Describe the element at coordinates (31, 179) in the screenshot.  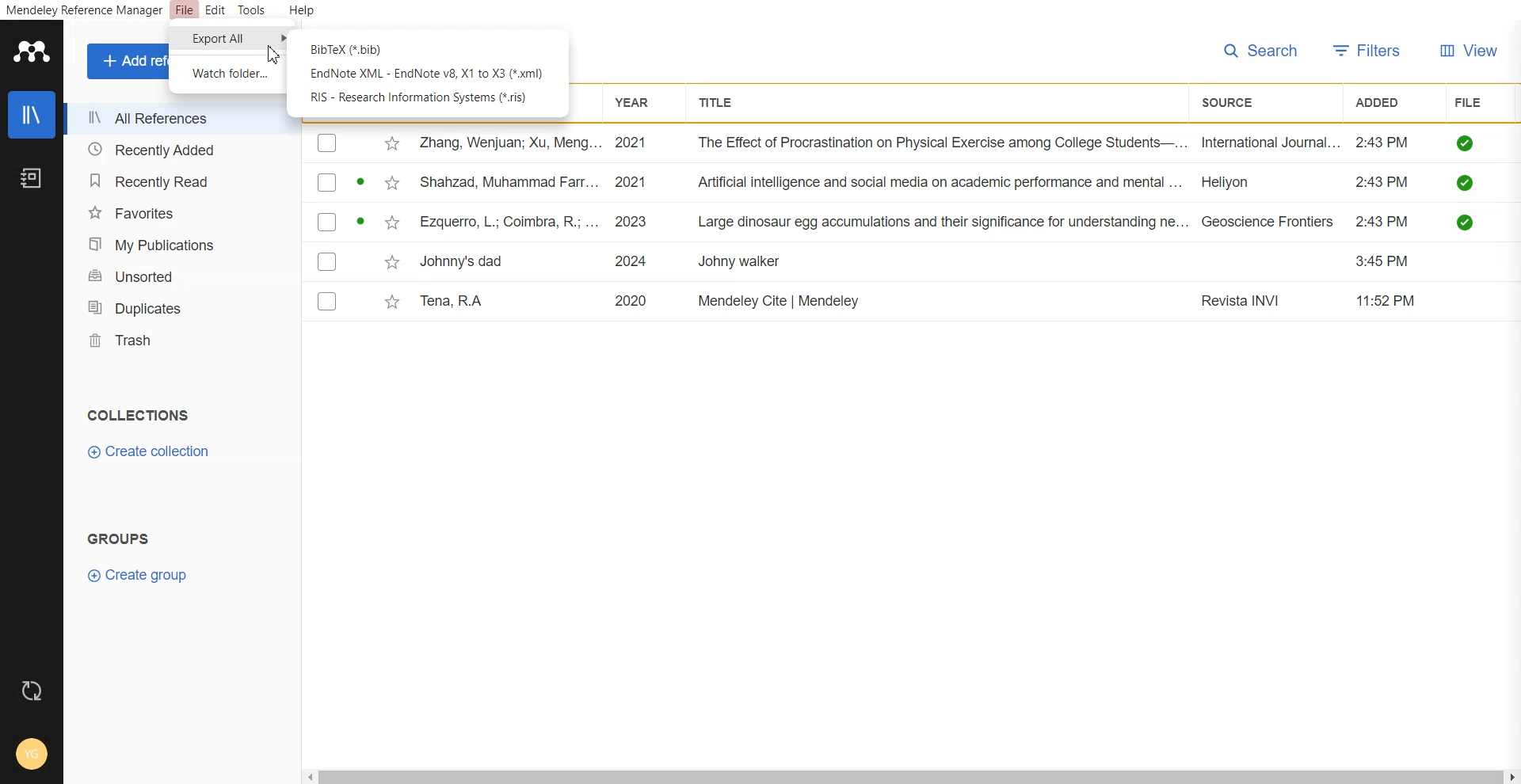
I see `Notebook` at that location.